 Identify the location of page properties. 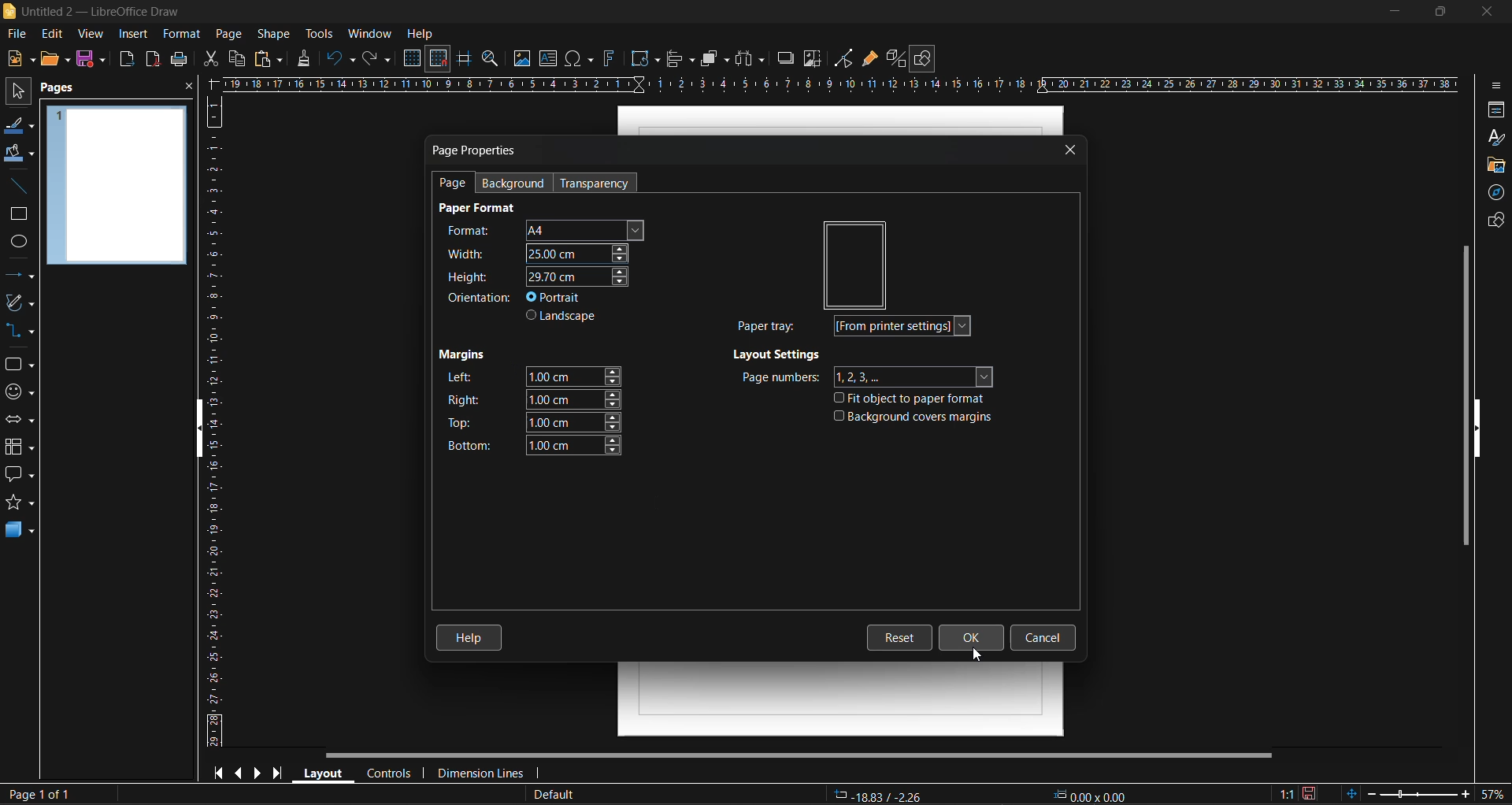
(478, 150).